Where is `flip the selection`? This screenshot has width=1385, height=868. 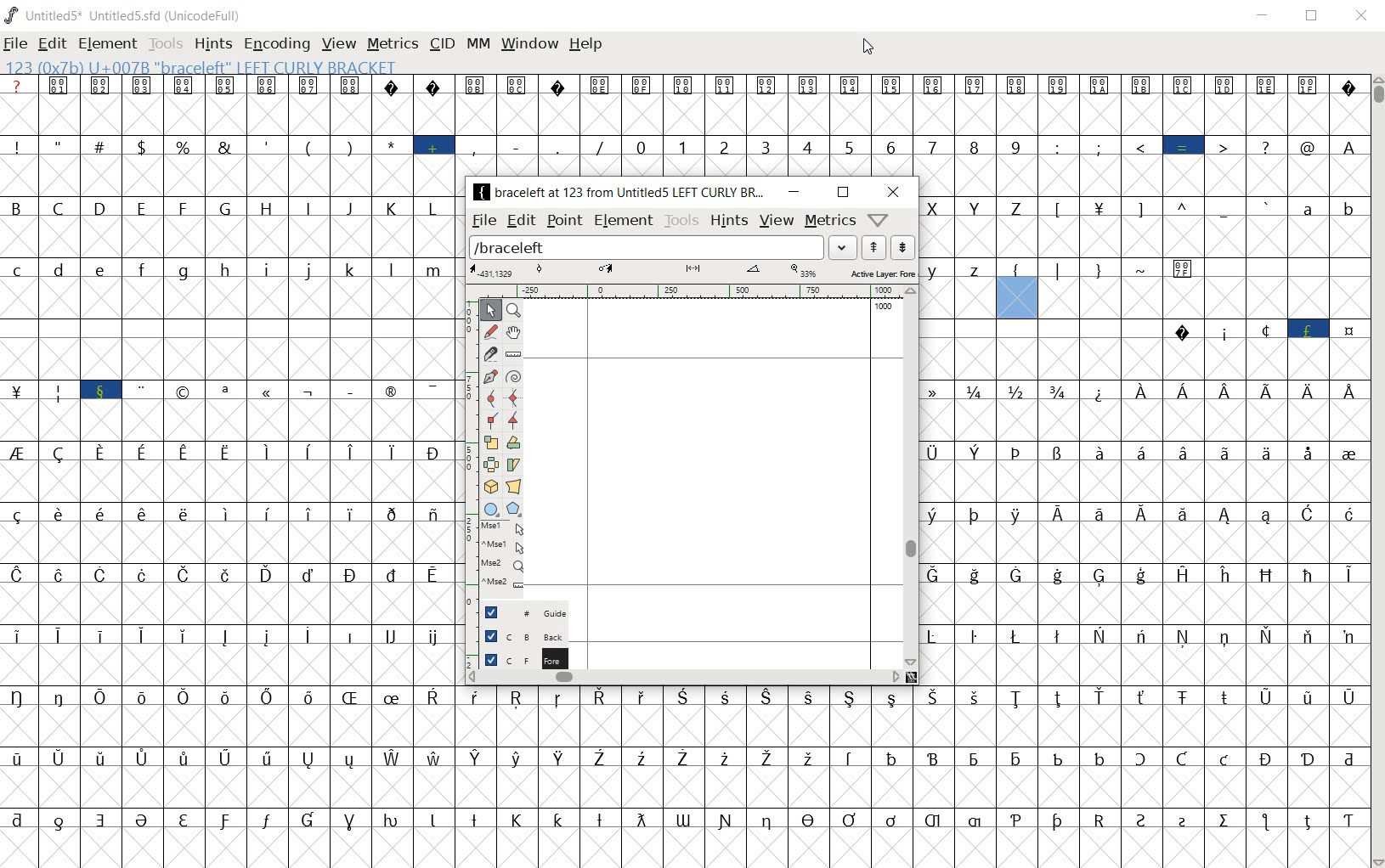
flip the selection is located at coordinates (489, 465).